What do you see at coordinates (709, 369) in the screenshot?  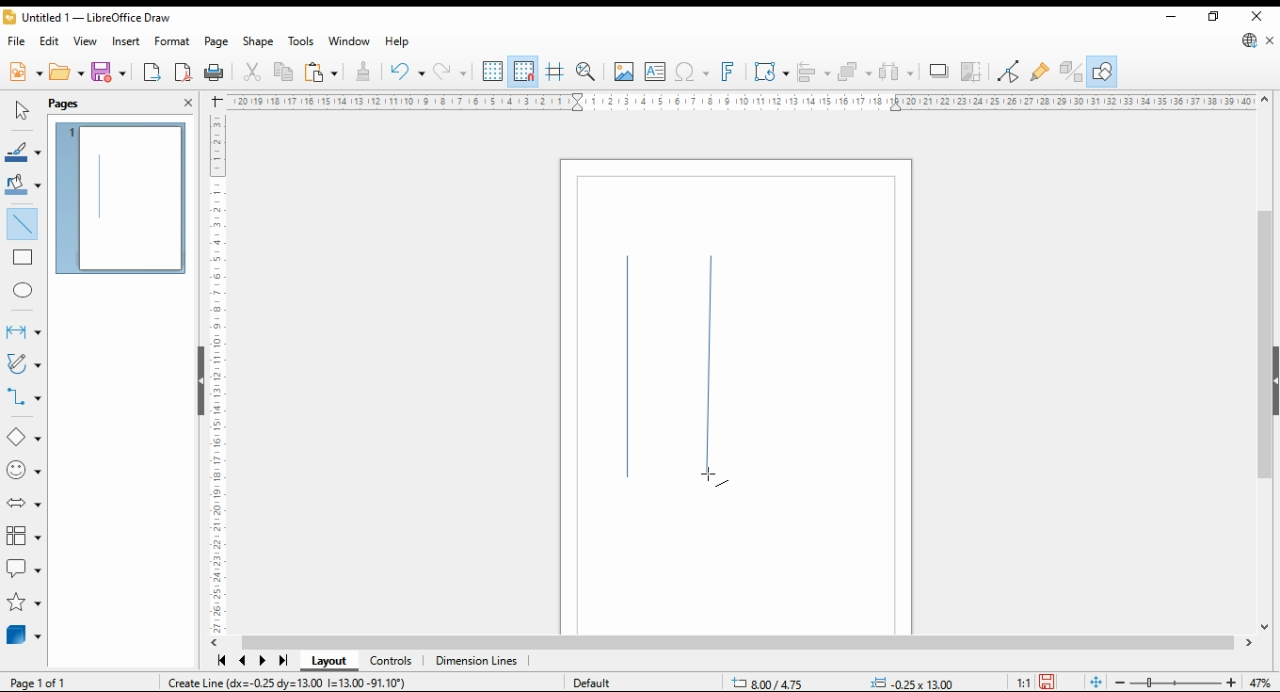 I see `new shape - line` at bounding box center [709, 369].